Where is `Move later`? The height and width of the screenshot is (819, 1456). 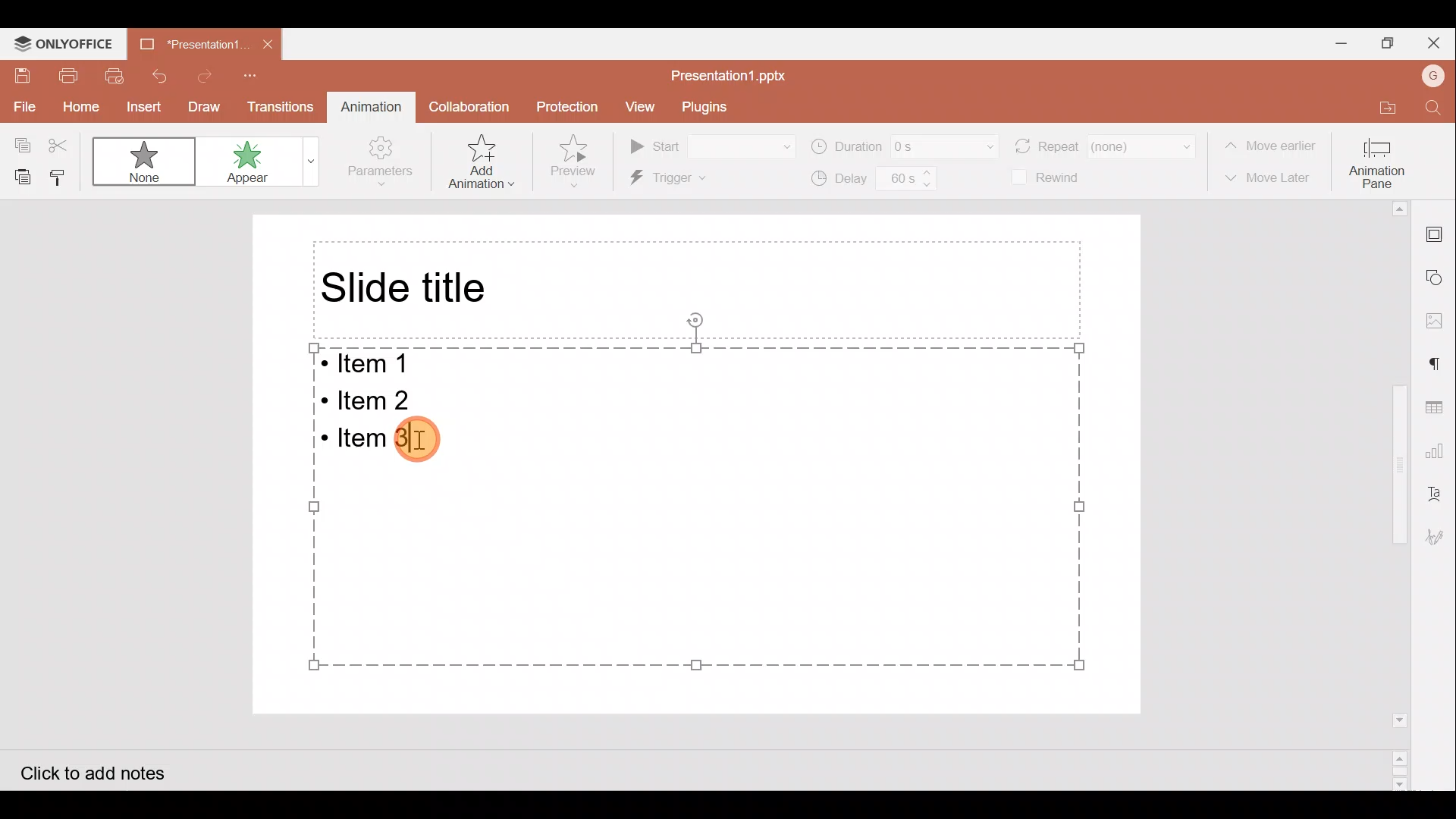 Move later is located at coordinates (1269, 179).